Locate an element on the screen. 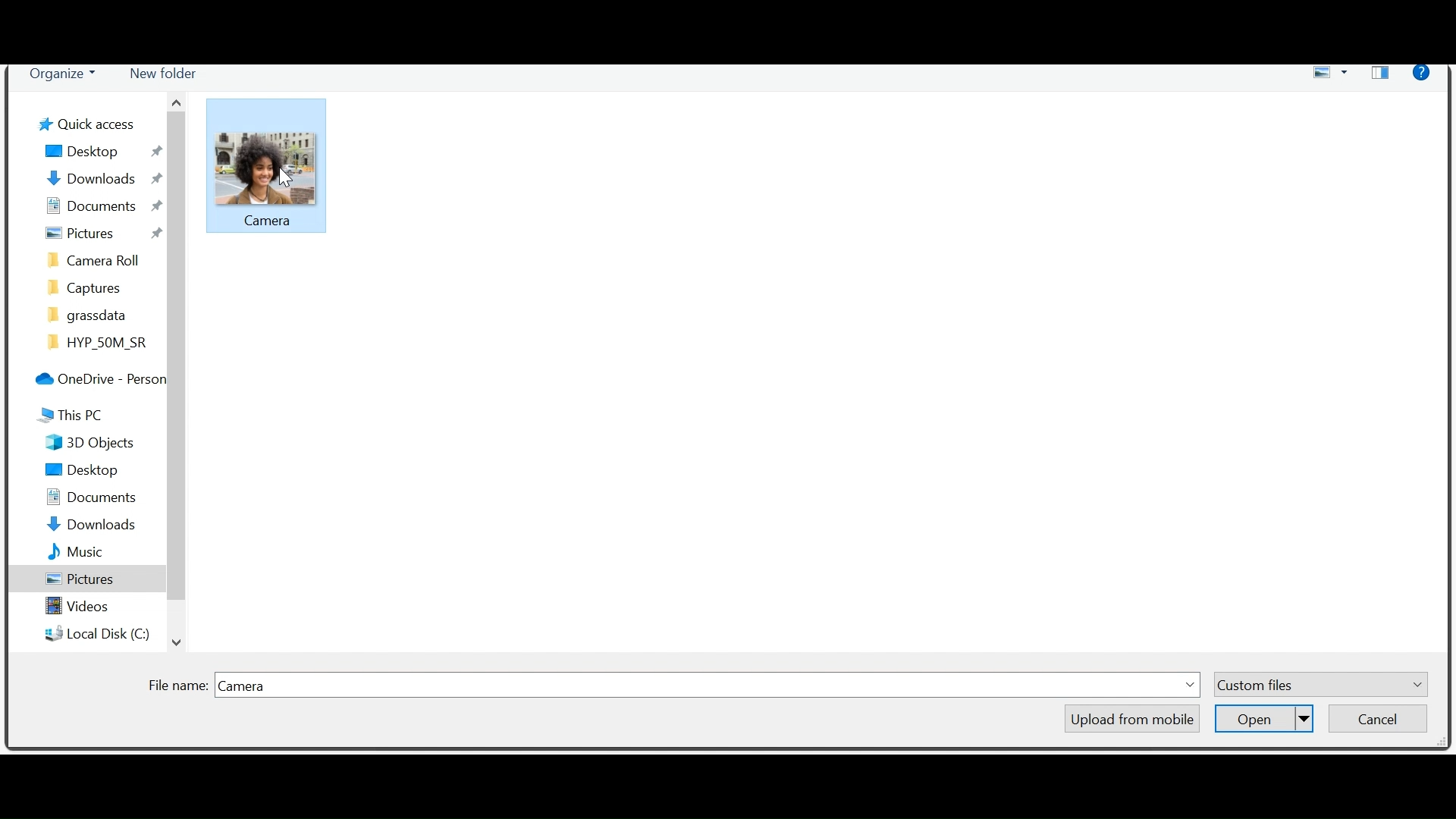 The image size is (1456, 819). Vertical Scrollbar is located at coordinates (176, 356).